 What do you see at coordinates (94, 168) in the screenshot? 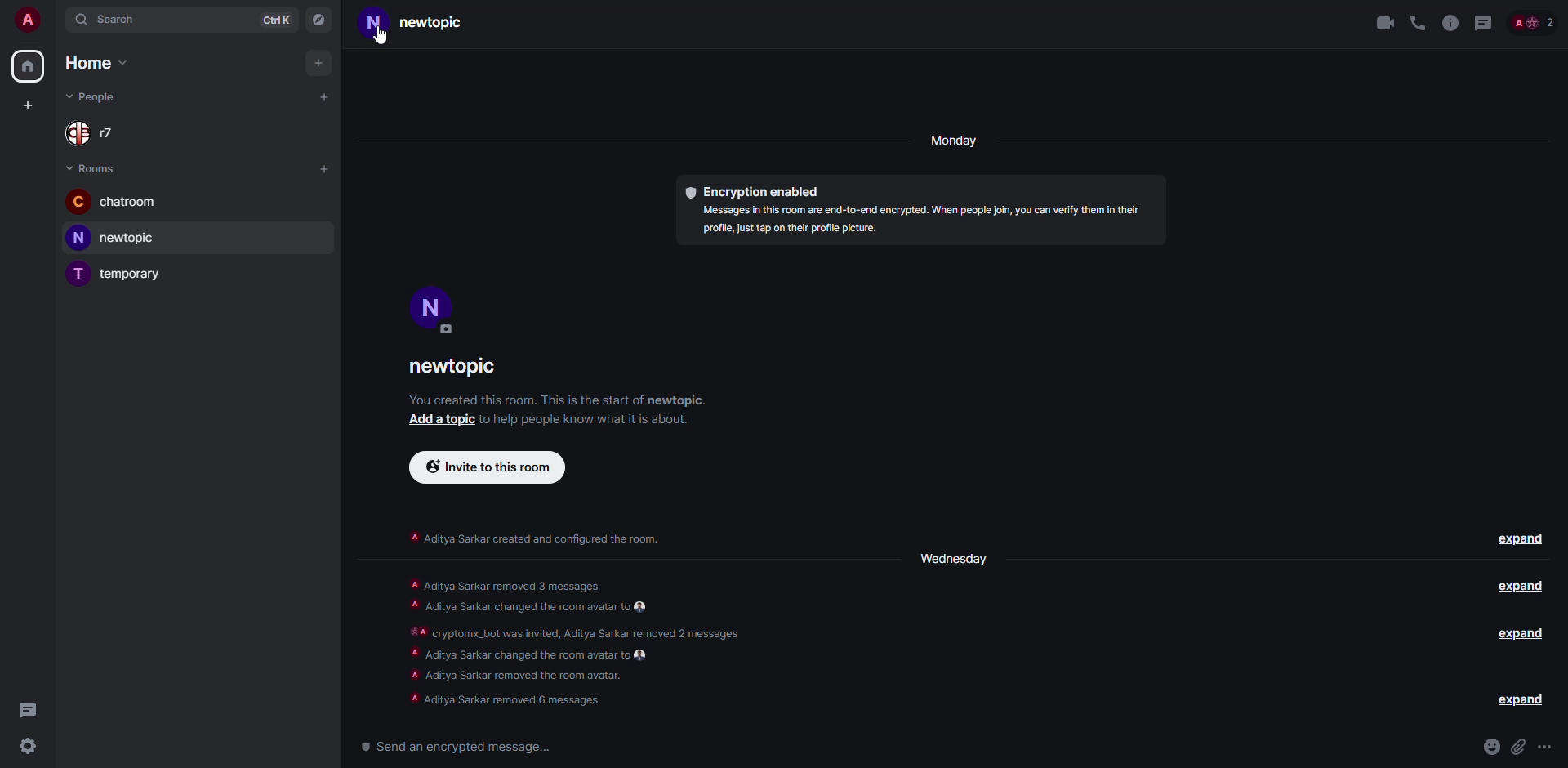
I see `rooms` at bounding box center [94, 168].